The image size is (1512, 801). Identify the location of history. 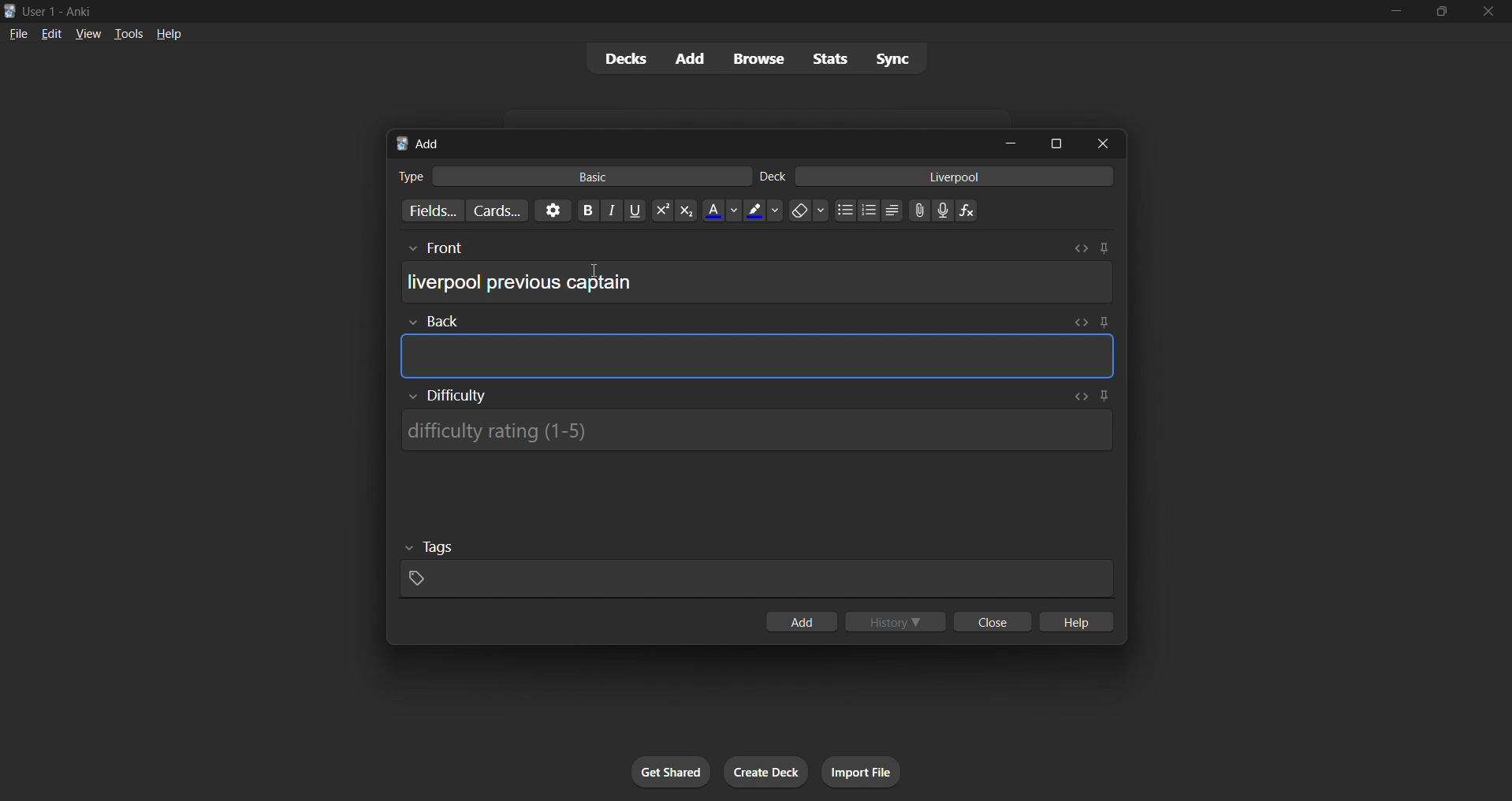
(898, 623).